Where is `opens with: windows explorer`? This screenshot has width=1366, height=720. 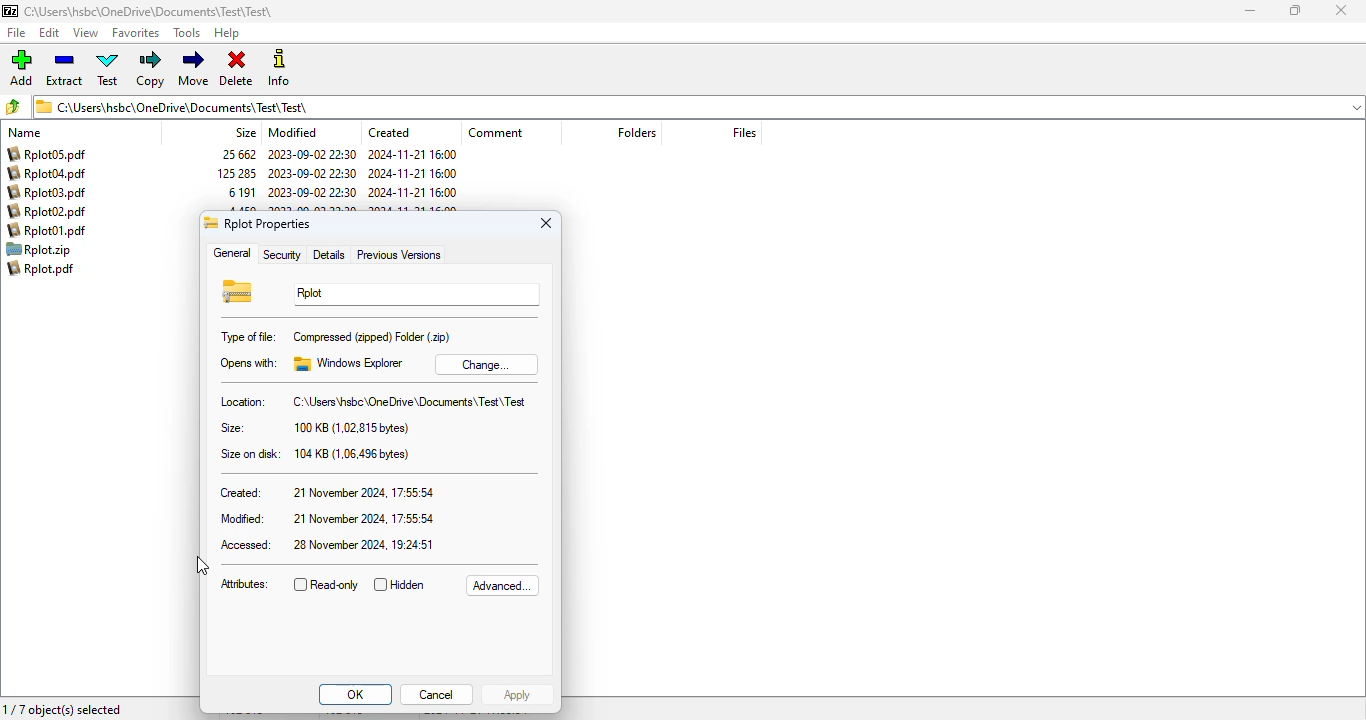
opens with: windows explorer is located at coordinates (311, 363).